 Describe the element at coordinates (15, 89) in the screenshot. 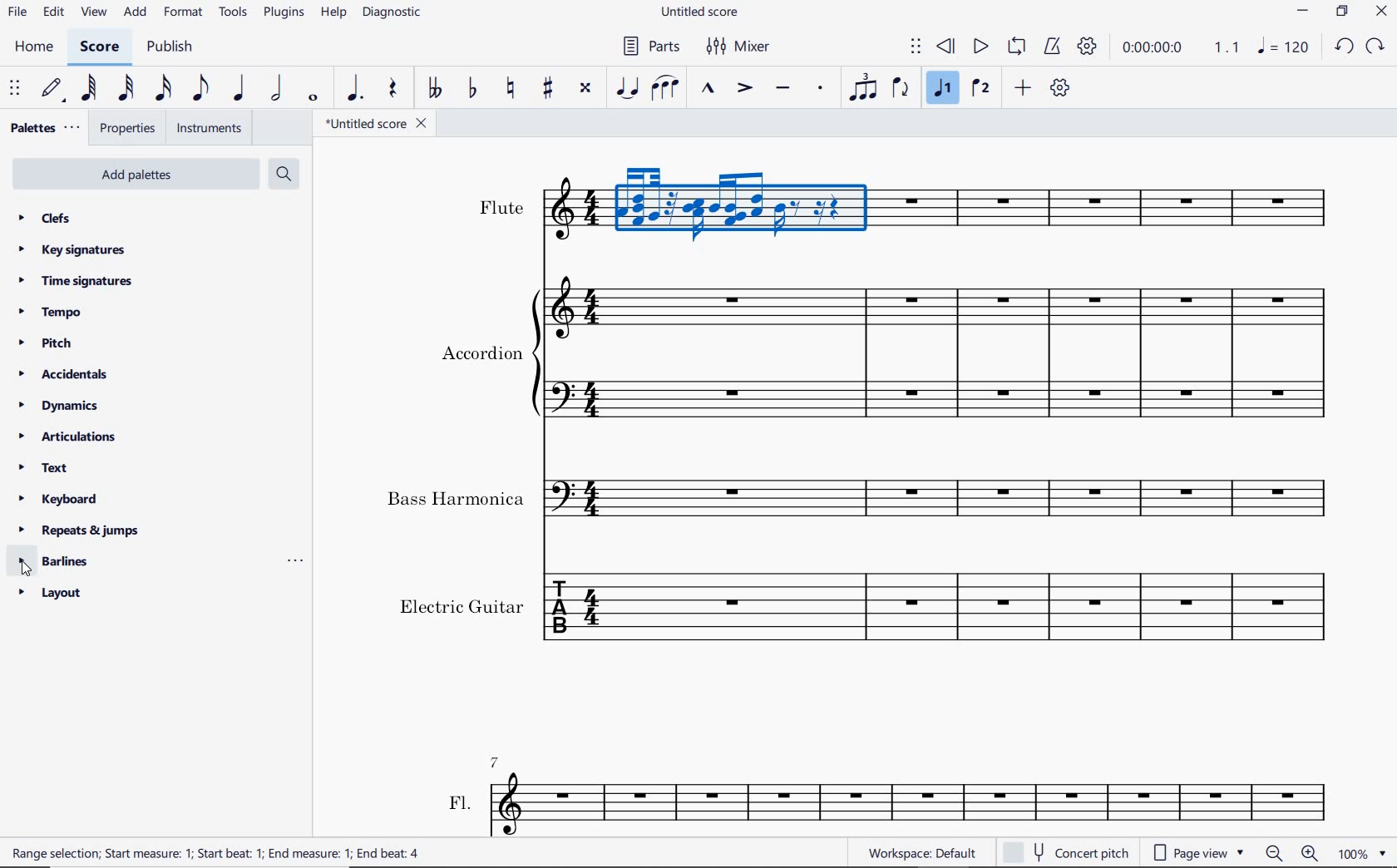

I see `select to move` at that location.